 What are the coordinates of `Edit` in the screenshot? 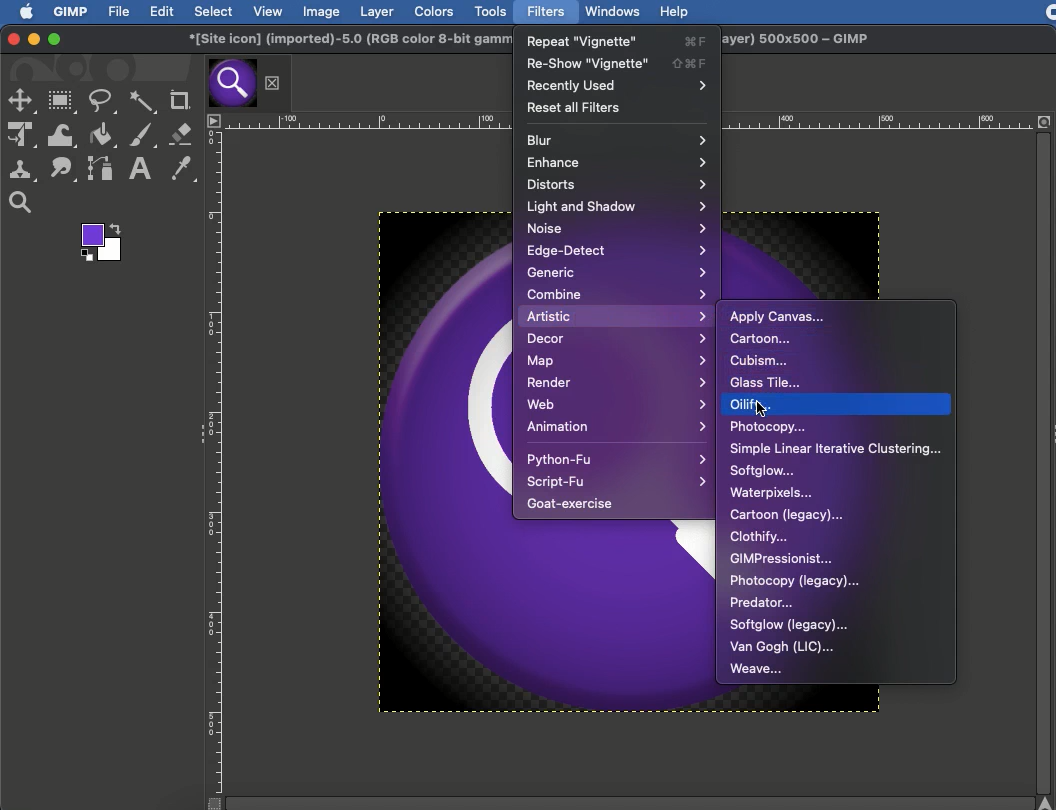 It's located at (163, 12).